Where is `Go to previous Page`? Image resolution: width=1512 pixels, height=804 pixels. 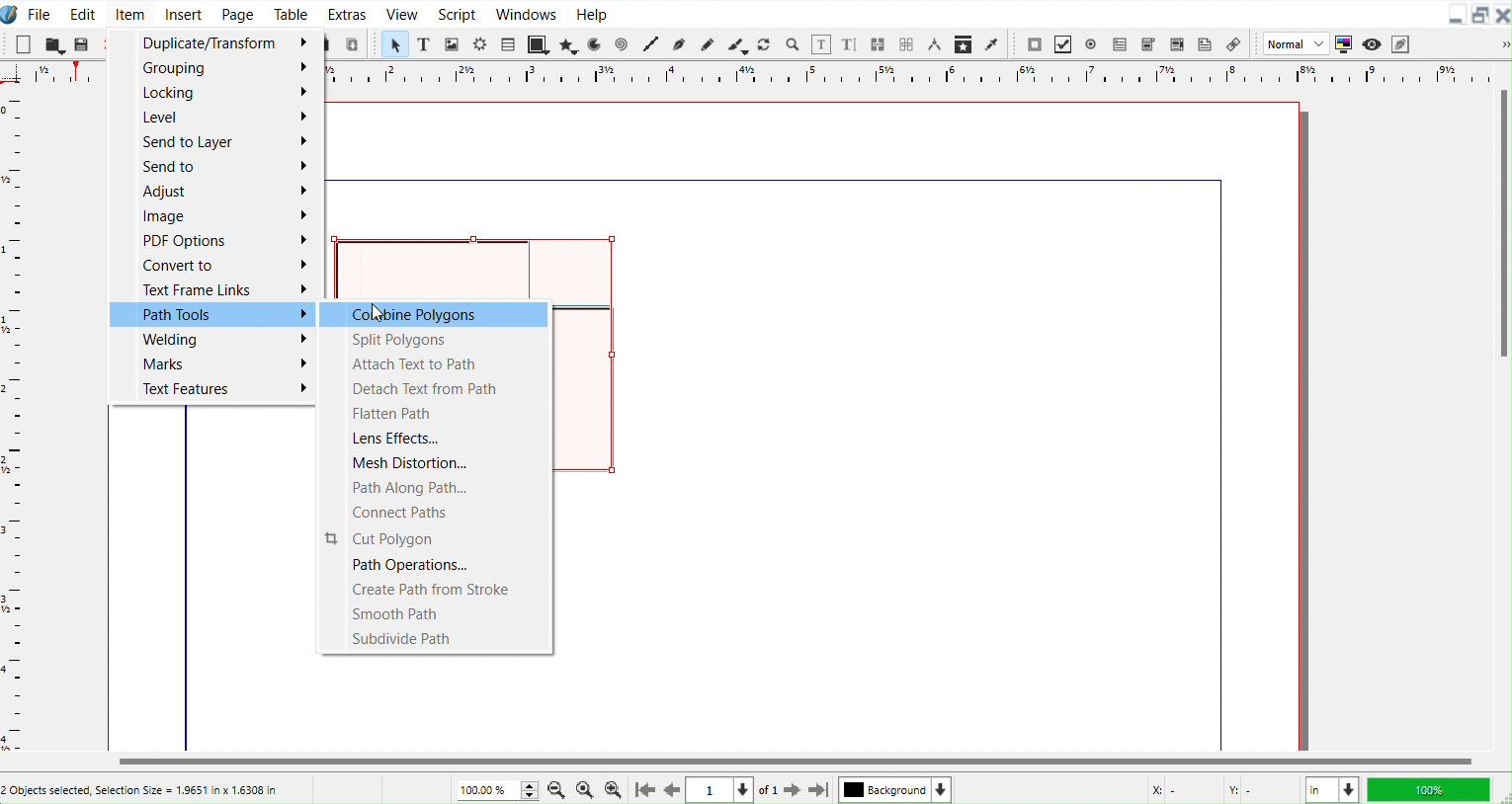 Go to previous Page is located at coordinates (673, 790).